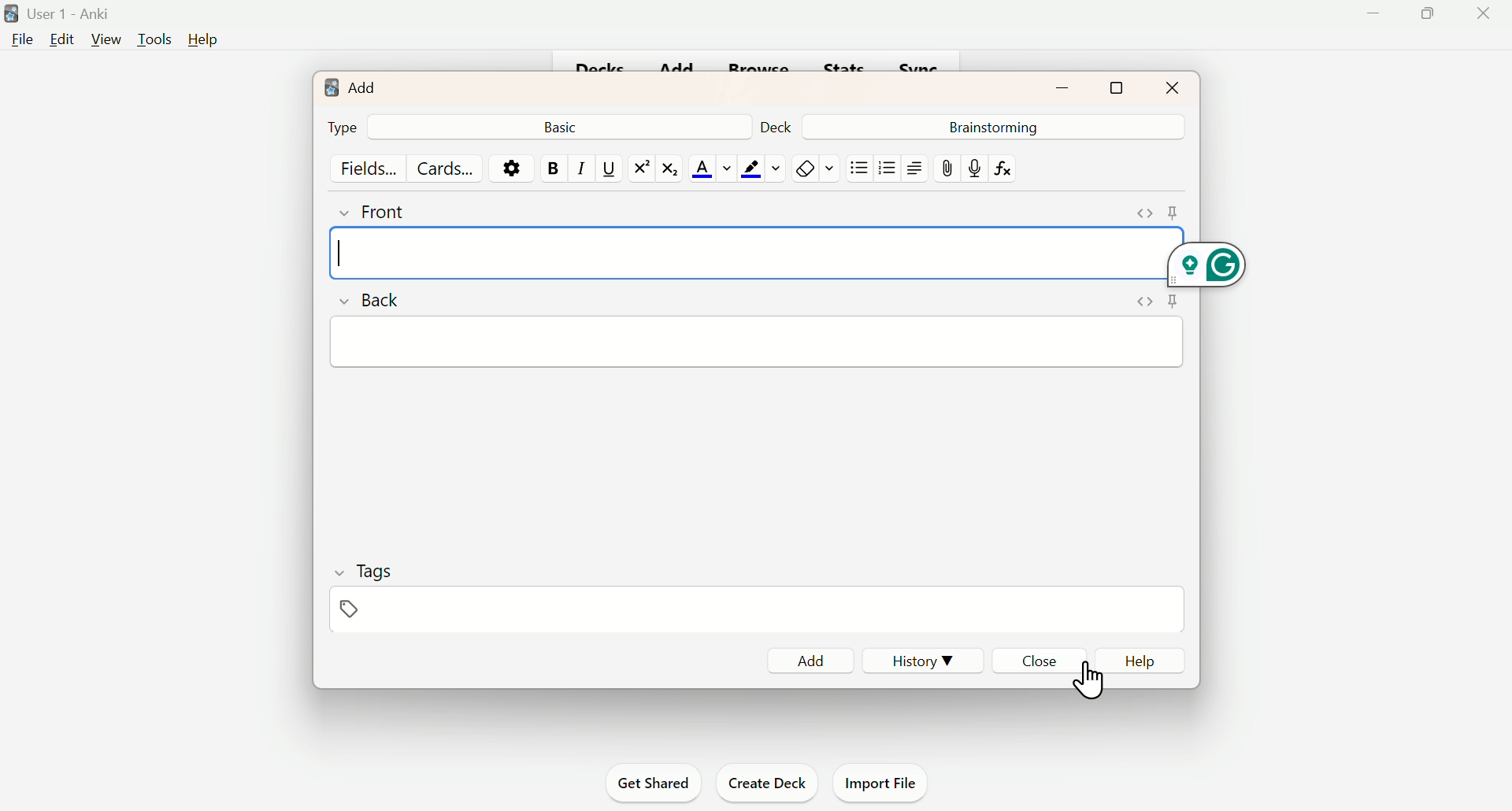  I want to click on Text color, so click(712, 168).